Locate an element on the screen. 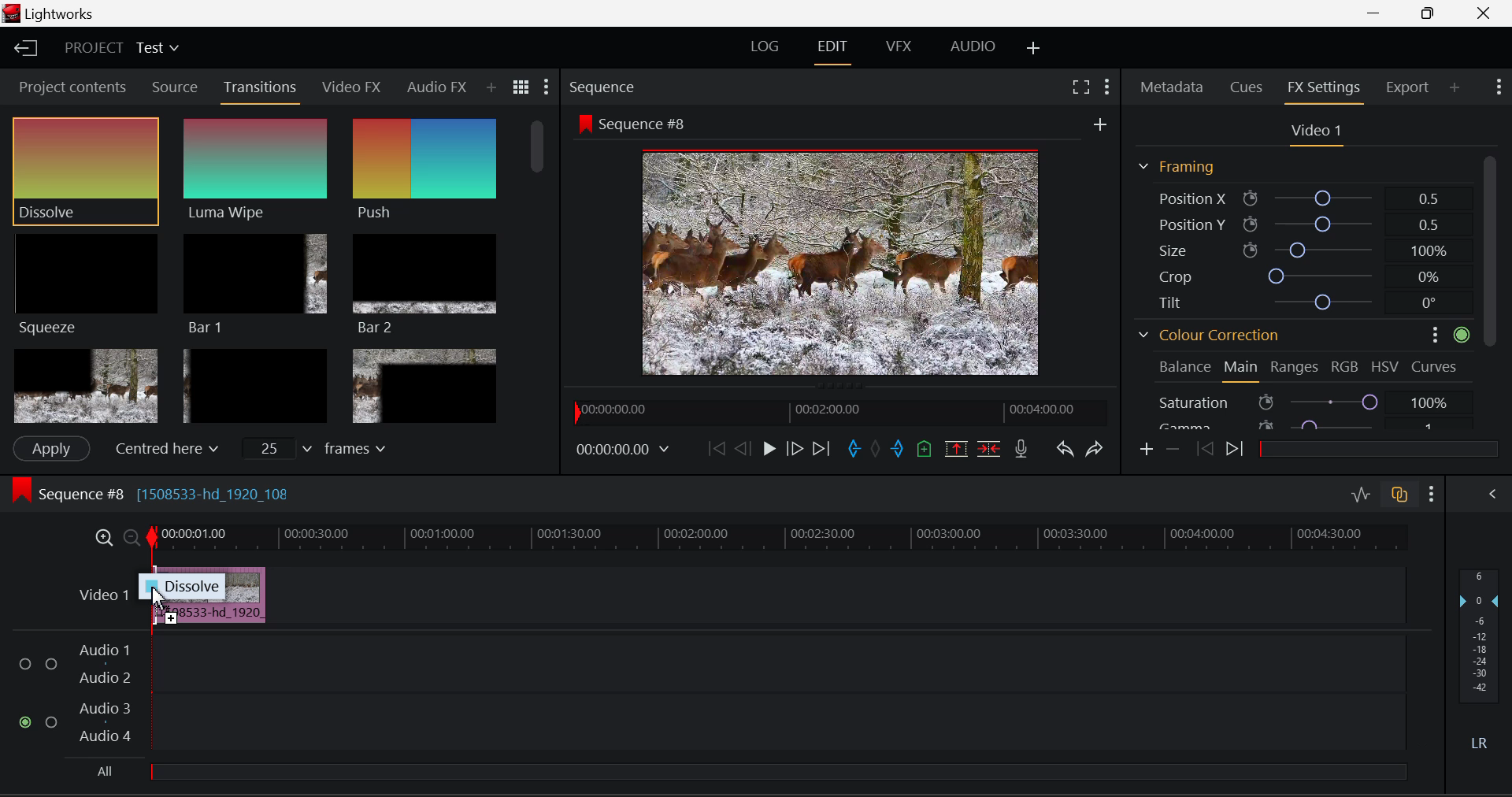 The width and height of the screenshot is (1512, 797). Toggle Auto Track Sync is located at coordinates (1399, 496).